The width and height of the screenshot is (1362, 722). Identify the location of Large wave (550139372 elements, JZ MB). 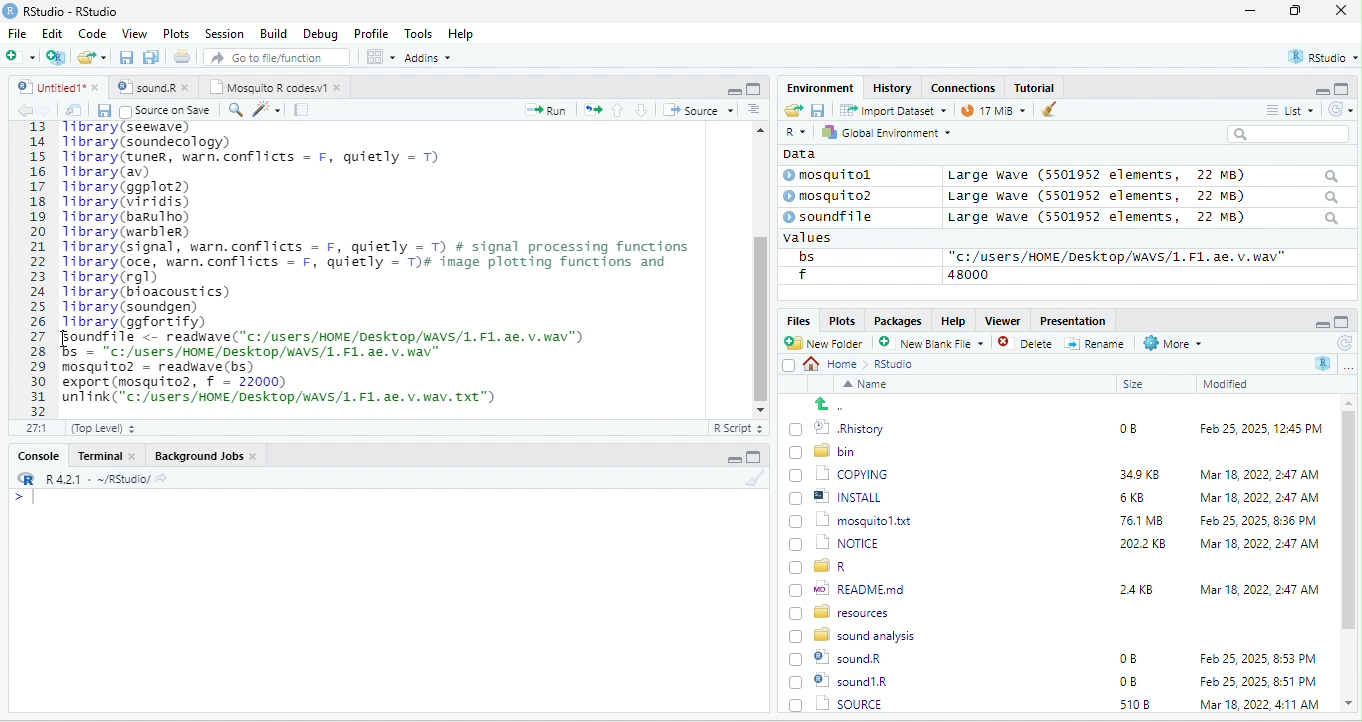
(1145, 196).